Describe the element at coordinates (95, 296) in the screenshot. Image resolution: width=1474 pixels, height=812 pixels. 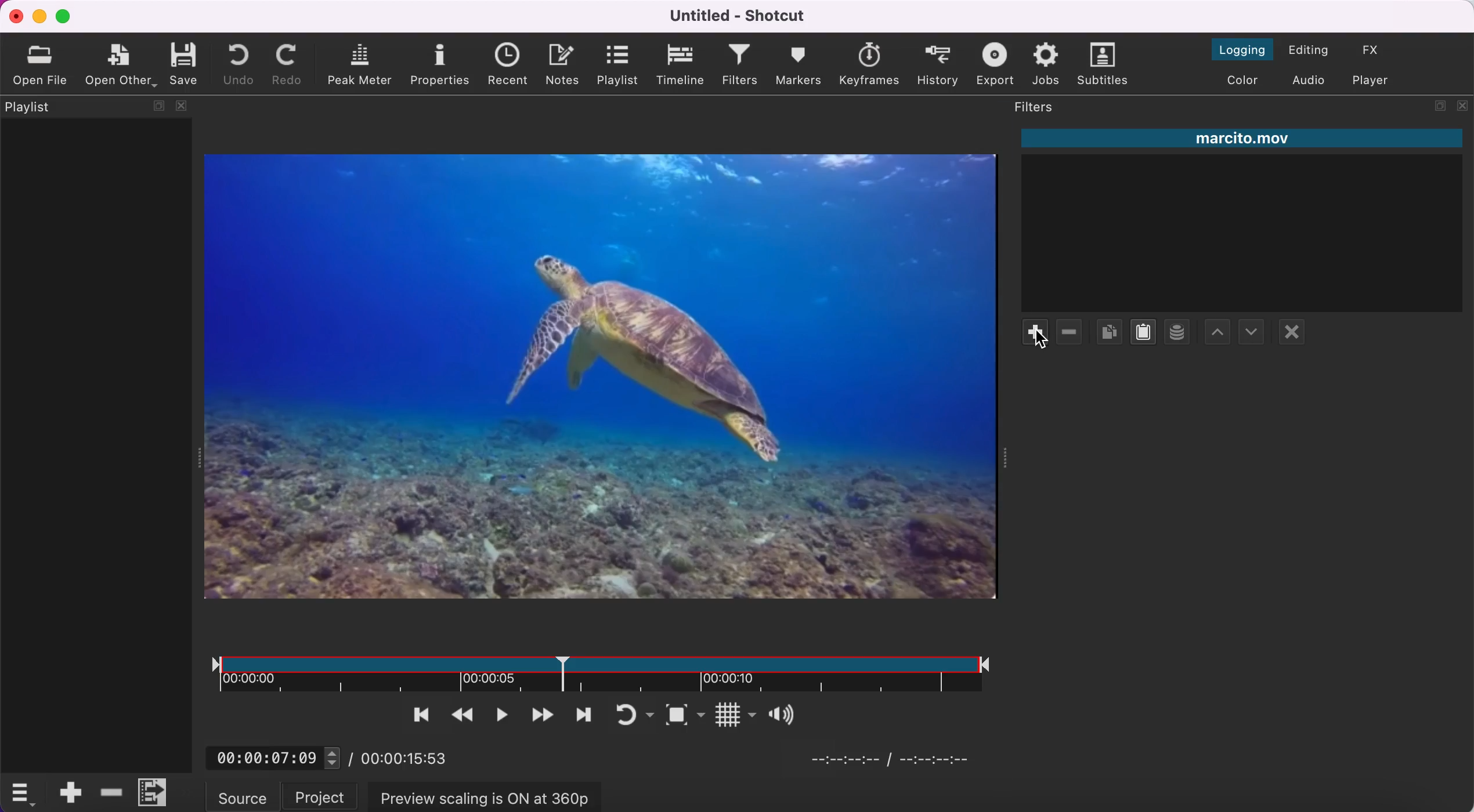
I see `playlist panel` at that location.